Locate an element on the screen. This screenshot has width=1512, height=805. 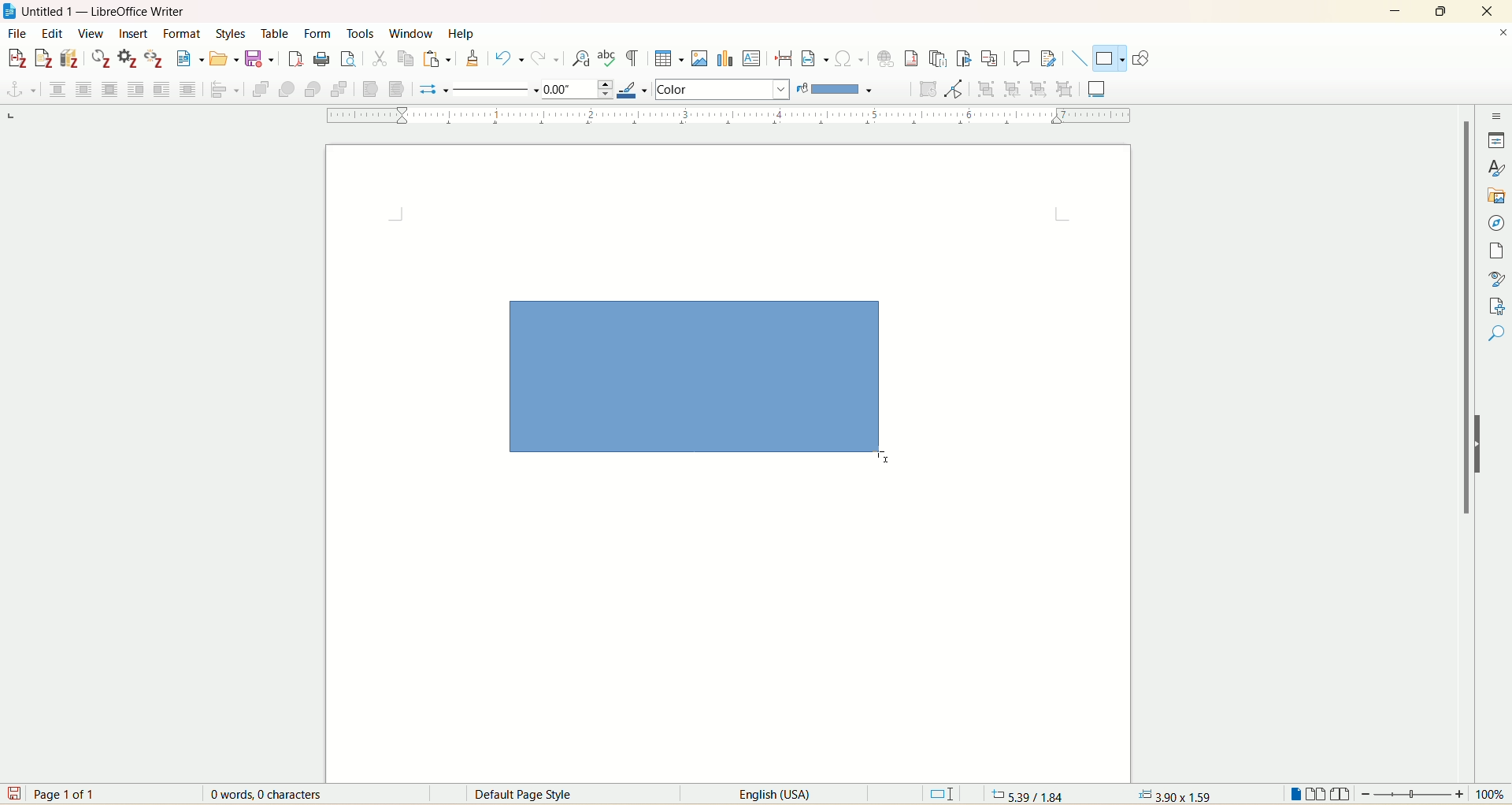
bring to front is located at coordinates (263, 89).